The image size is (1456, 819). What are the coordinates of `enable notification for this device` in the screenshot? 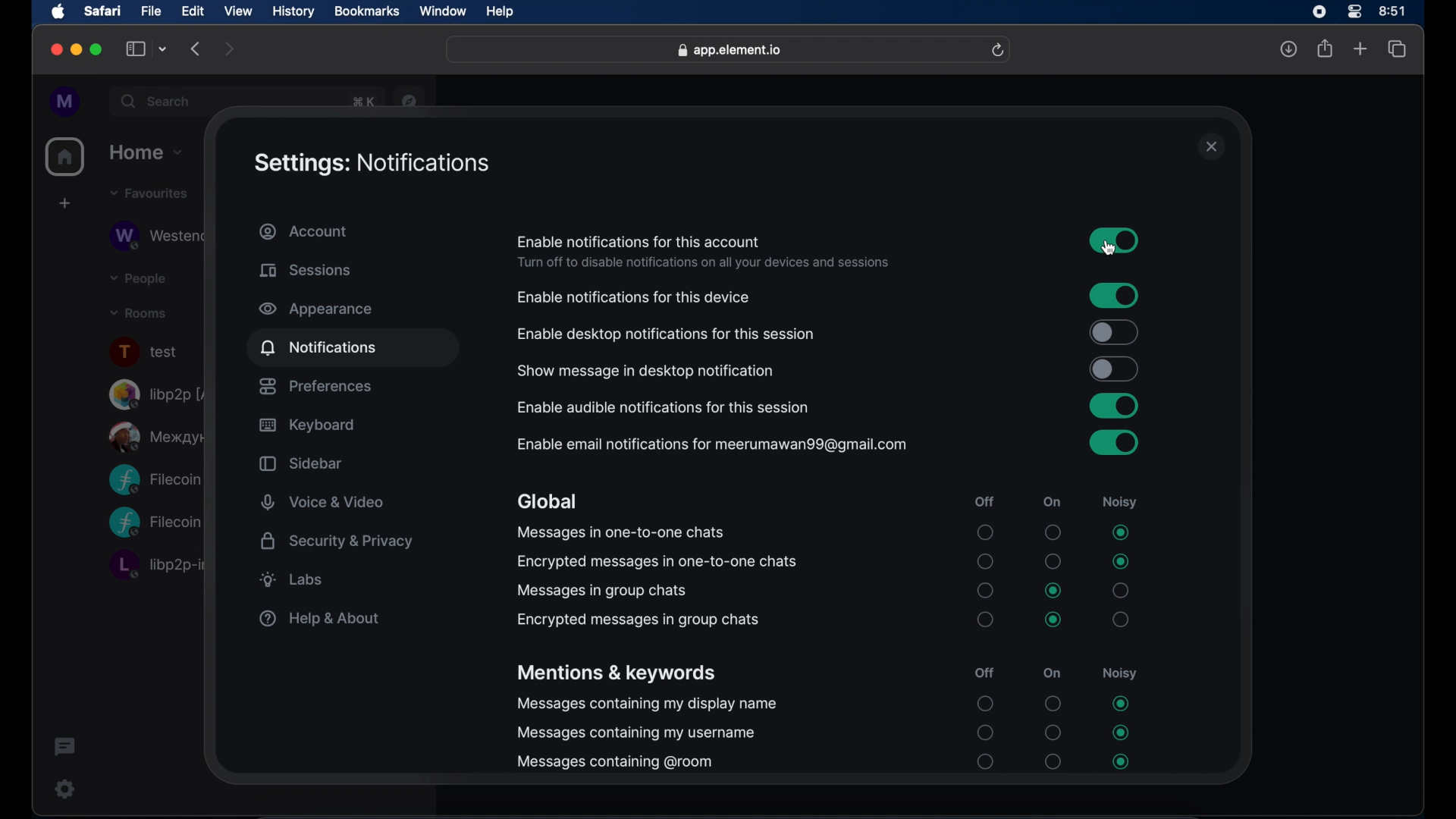 It's located at (633, 298).